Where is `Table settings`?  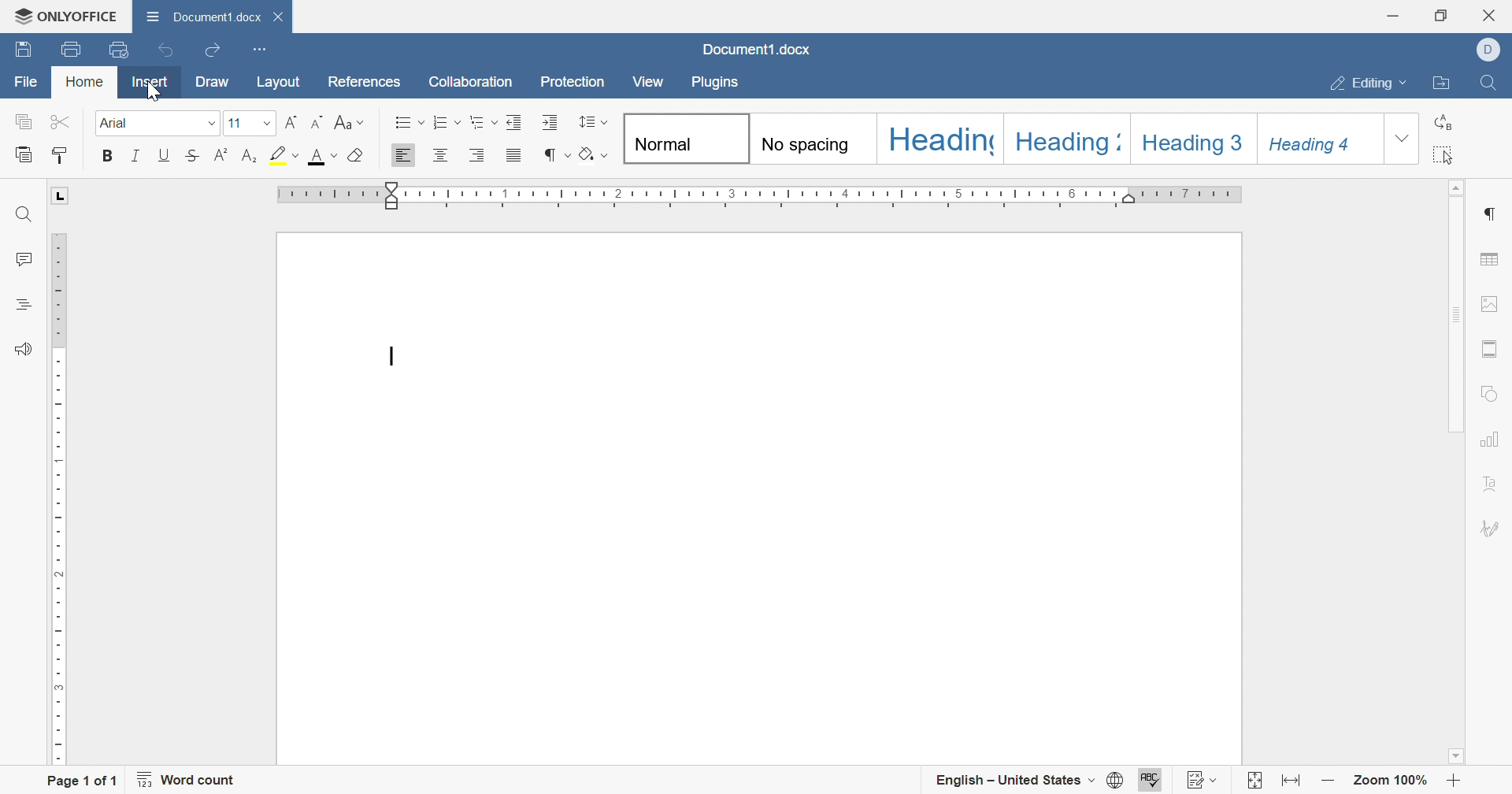
Table settings is located at coordinates (1492, 258).